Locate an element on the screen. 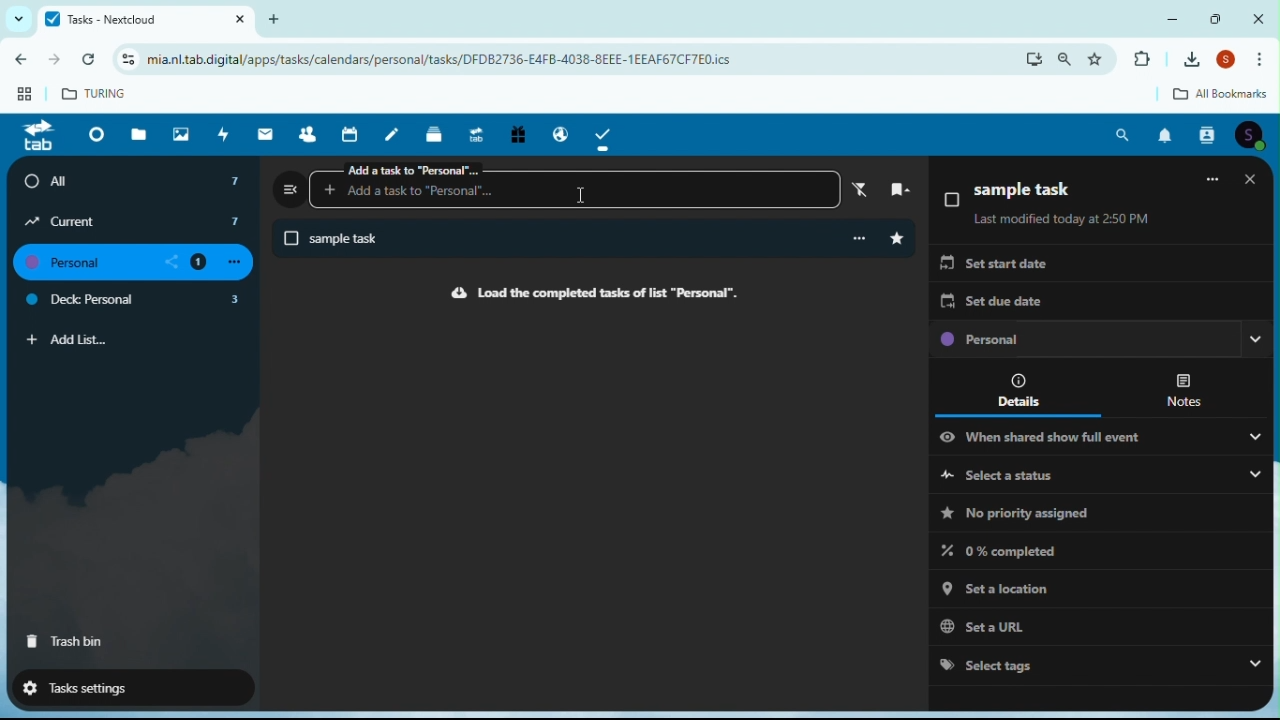 Image resolution: width=1280 pixels, height=720 pixels. When select shared show full event is located at coordinates (1102, 436).